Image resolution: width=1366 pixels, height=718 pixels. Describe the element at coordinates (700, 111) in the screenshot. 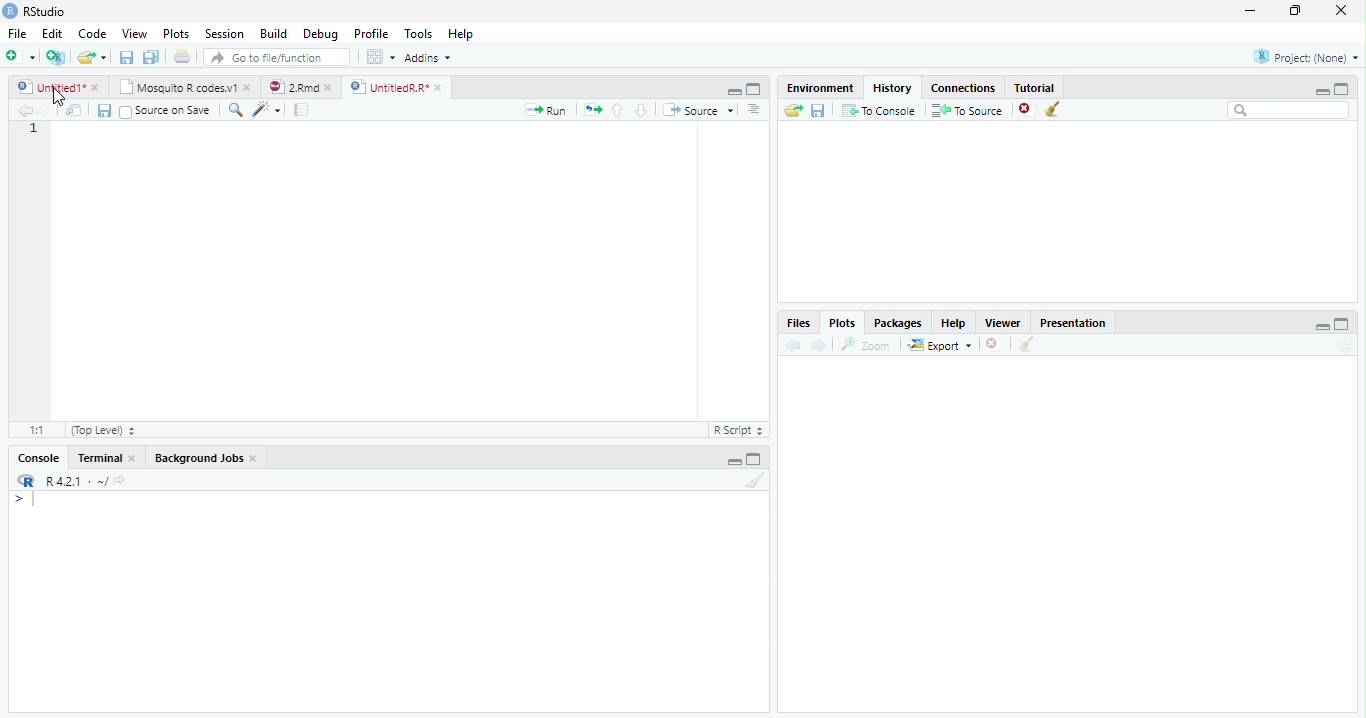

I see `Source` at that location.